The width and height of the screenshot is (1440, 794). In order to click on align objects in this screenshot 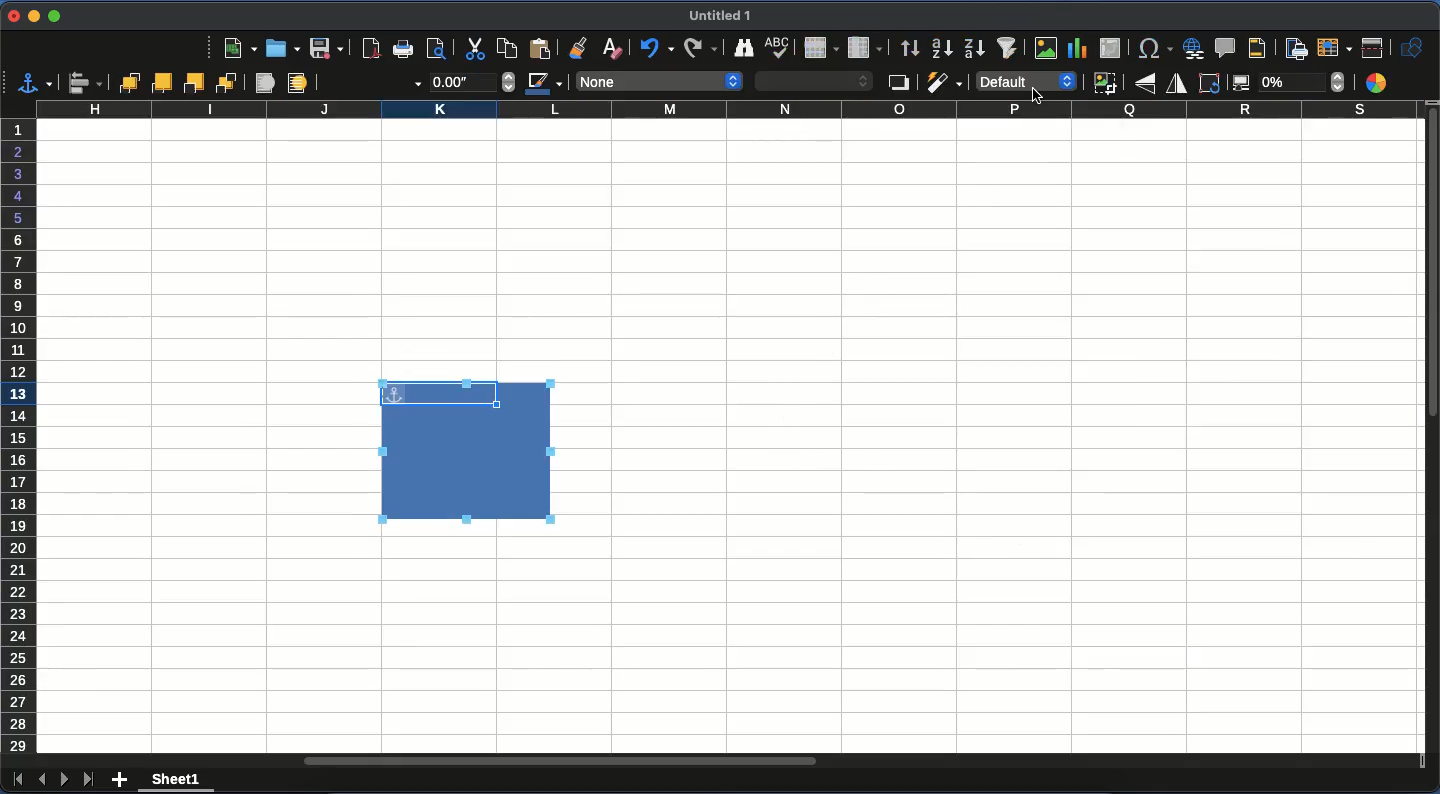, I will do `click(85, 84)`.